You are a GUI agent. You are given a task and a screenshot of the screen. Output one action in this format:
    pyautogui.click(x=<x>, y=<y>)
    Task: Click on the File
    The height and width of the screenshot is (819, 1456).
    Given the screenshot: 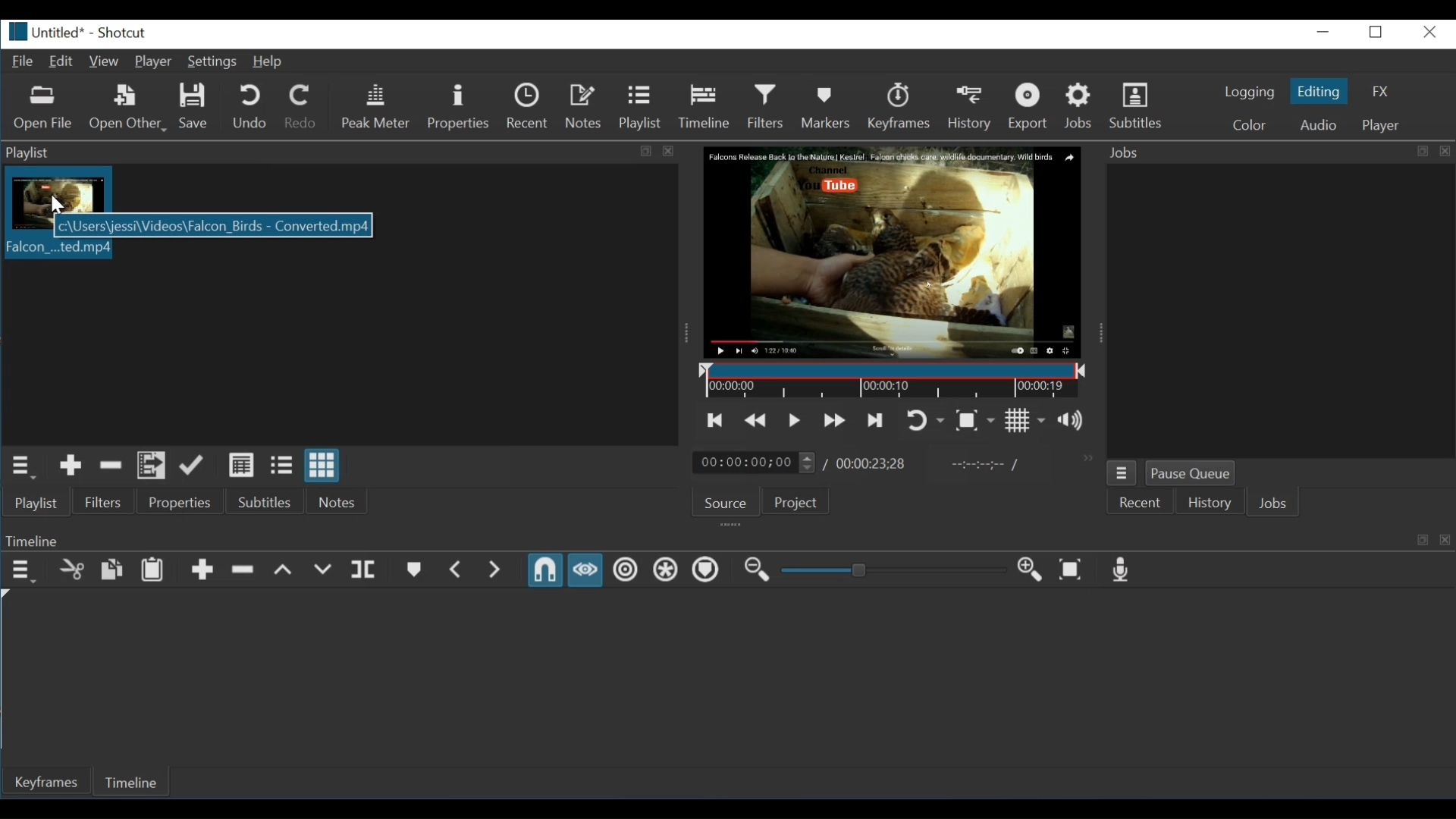 What is the action you would take?
    pyautogui.click(x=20, y=60)
    